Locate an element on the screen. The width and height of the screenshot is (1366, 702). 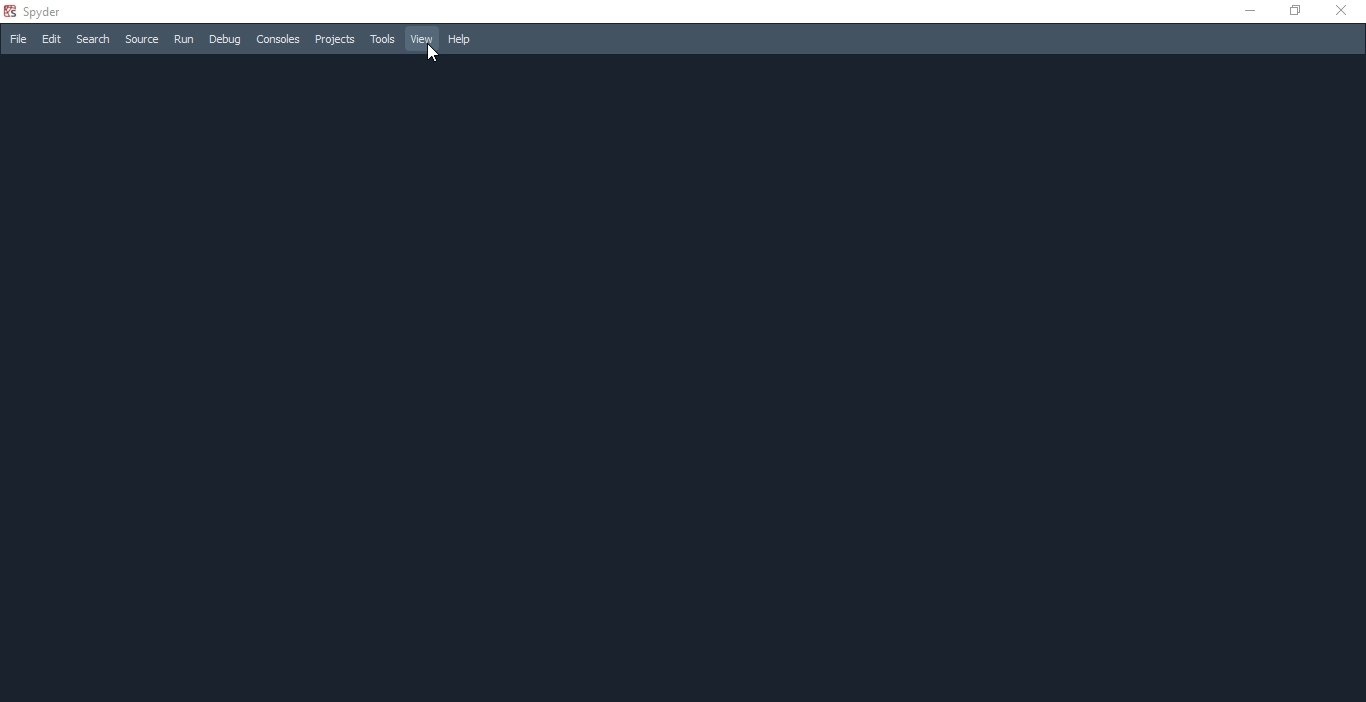
View is located at coordinates (420, 38).